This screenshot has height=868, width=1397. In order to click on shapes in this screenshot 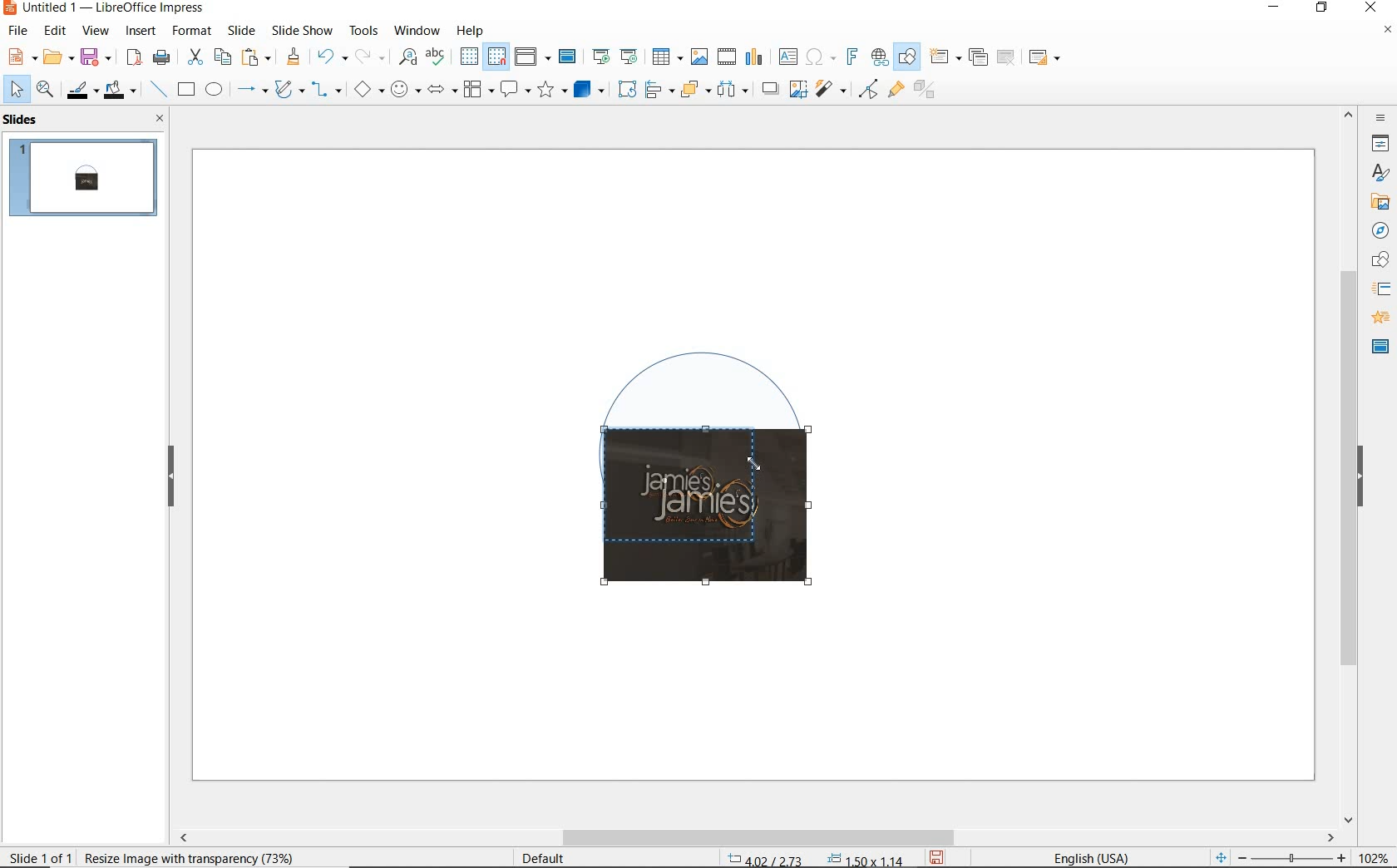, I will do `click(1378, 260)`.